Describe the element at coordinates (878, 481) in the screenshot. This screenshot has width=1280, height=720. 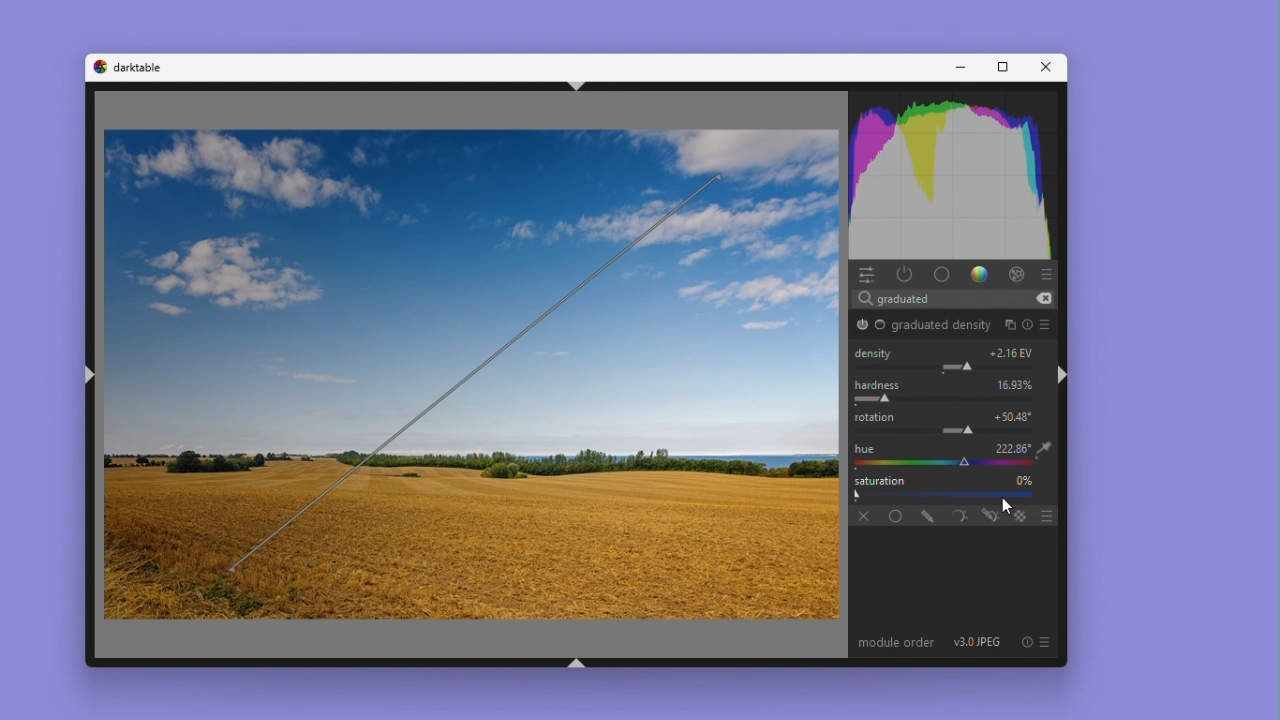
I see `Saturation` at that location.